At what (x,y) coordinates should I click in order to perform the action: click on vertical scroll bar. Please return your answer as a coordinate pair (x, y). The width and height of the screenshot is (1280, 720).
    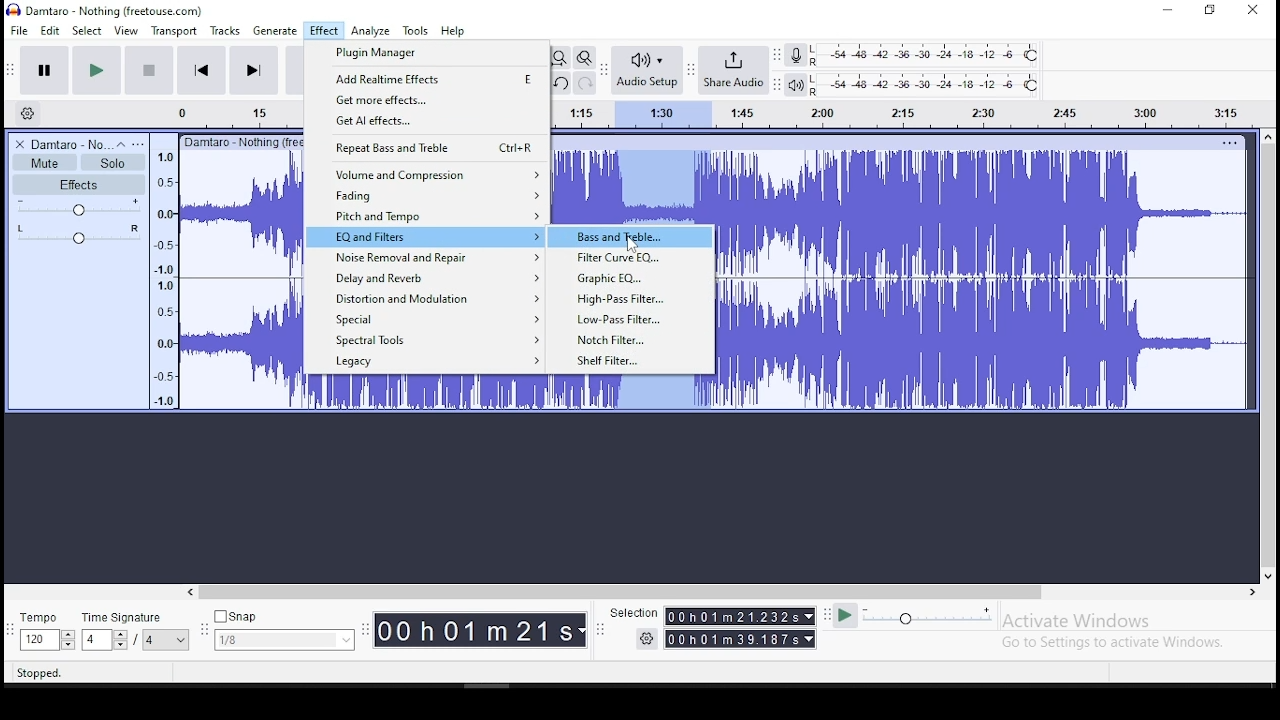
    Looking at the image, I should click on (1271, 353).